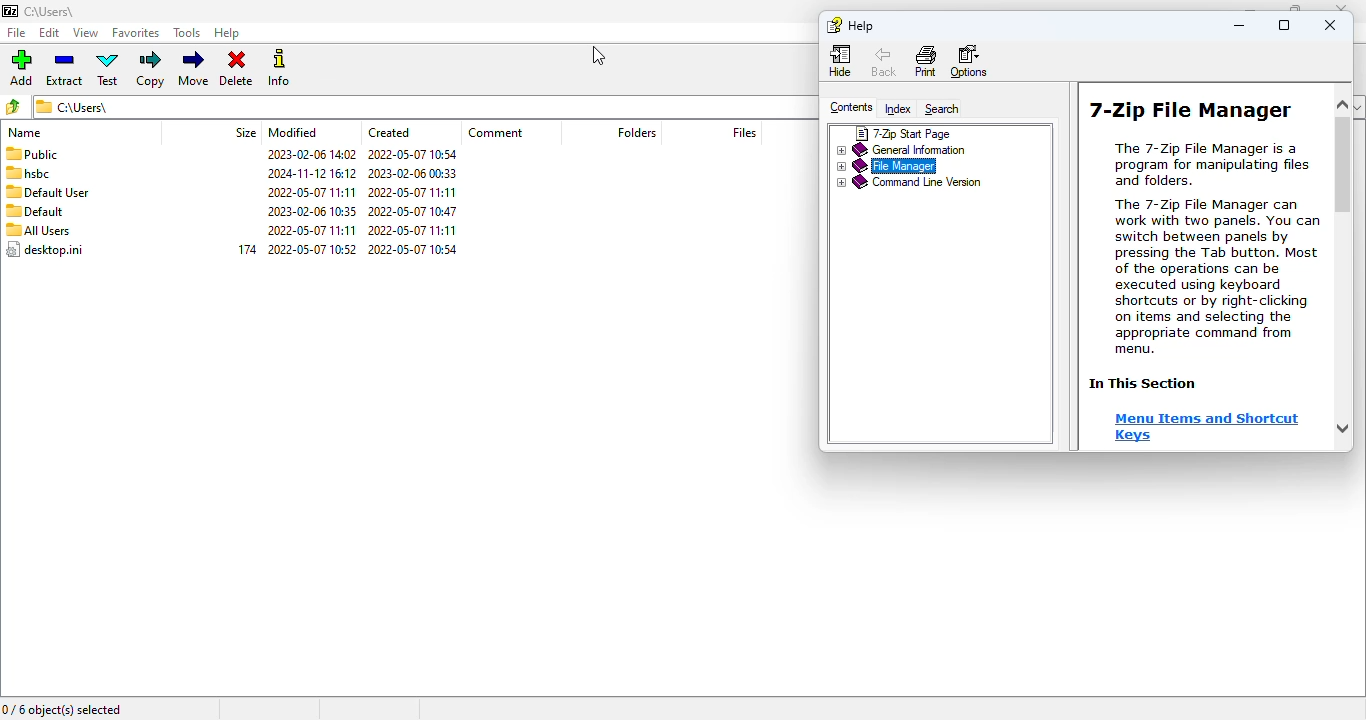 Image resolution: width=1366 pixels, height=720 pixels. I want to click on dropdown, so click(1357, 106).